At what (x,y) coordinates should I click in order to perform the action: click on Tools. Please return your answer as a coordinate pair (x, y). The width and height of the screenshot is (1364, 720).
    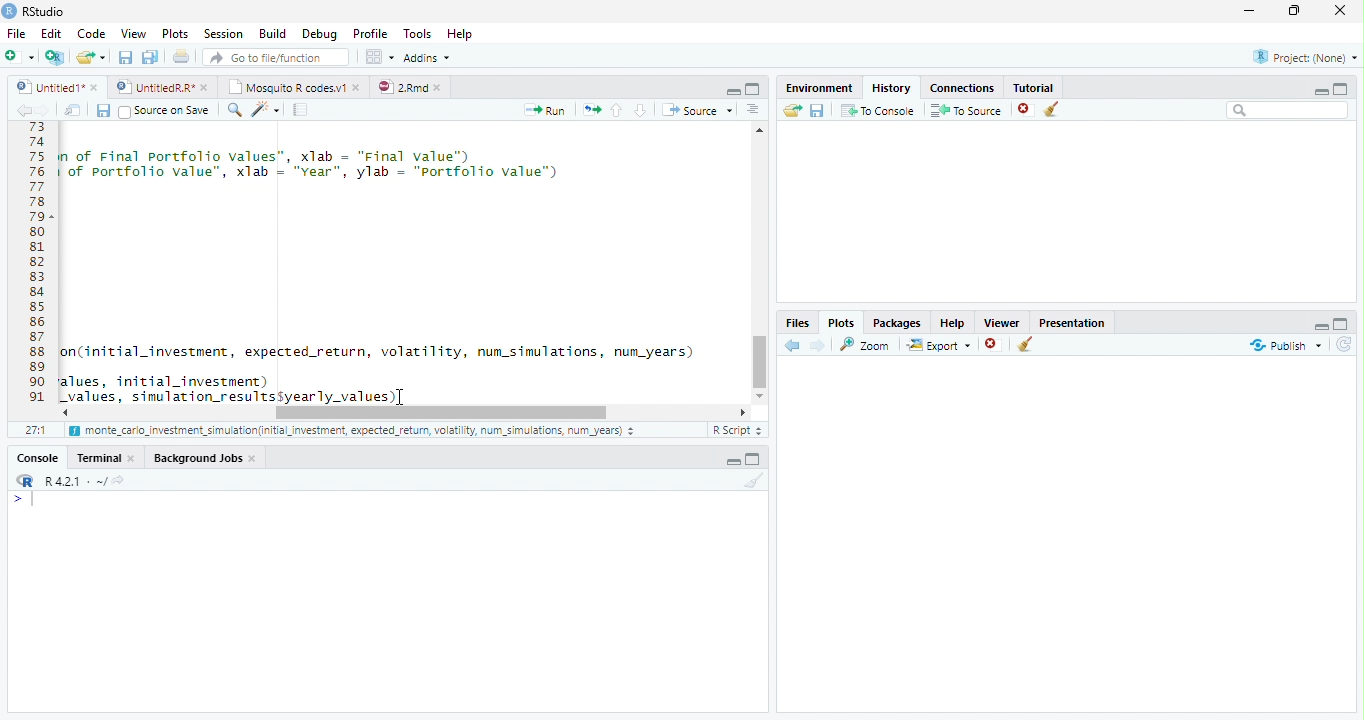
    Looking at the image, I should click on (416, 34).